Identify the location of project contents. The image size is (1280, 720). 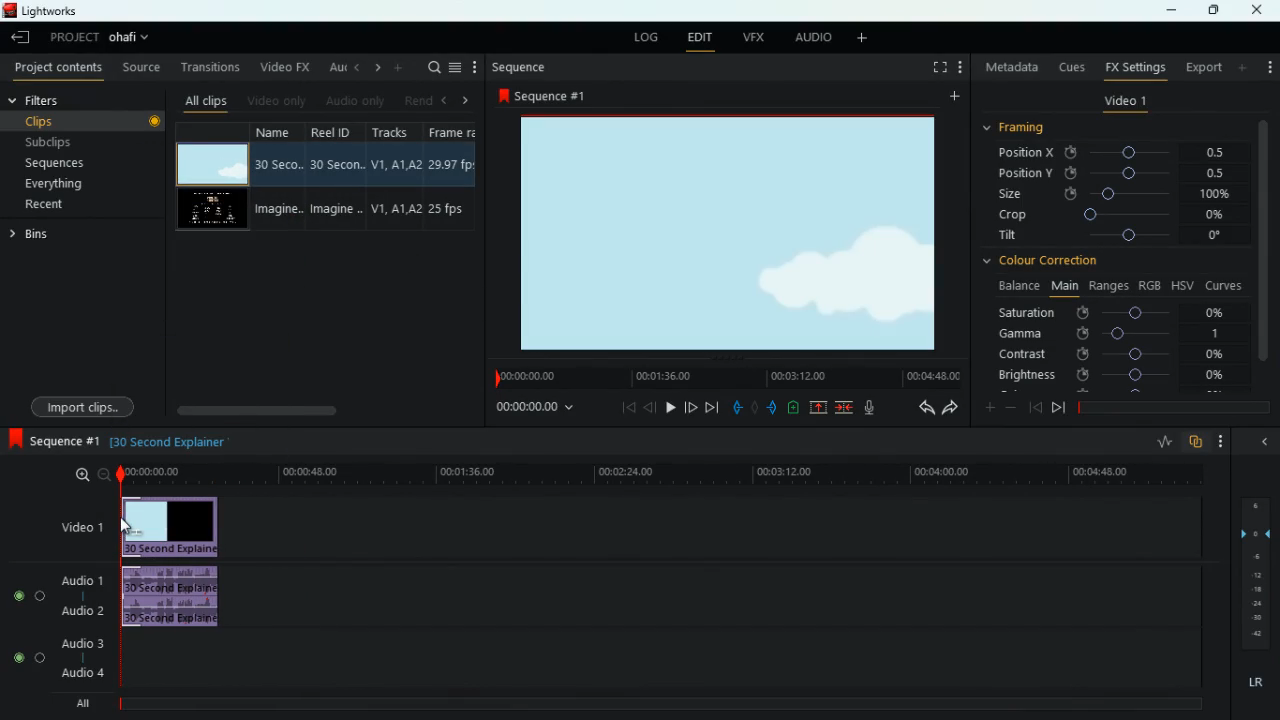
(55, 68).